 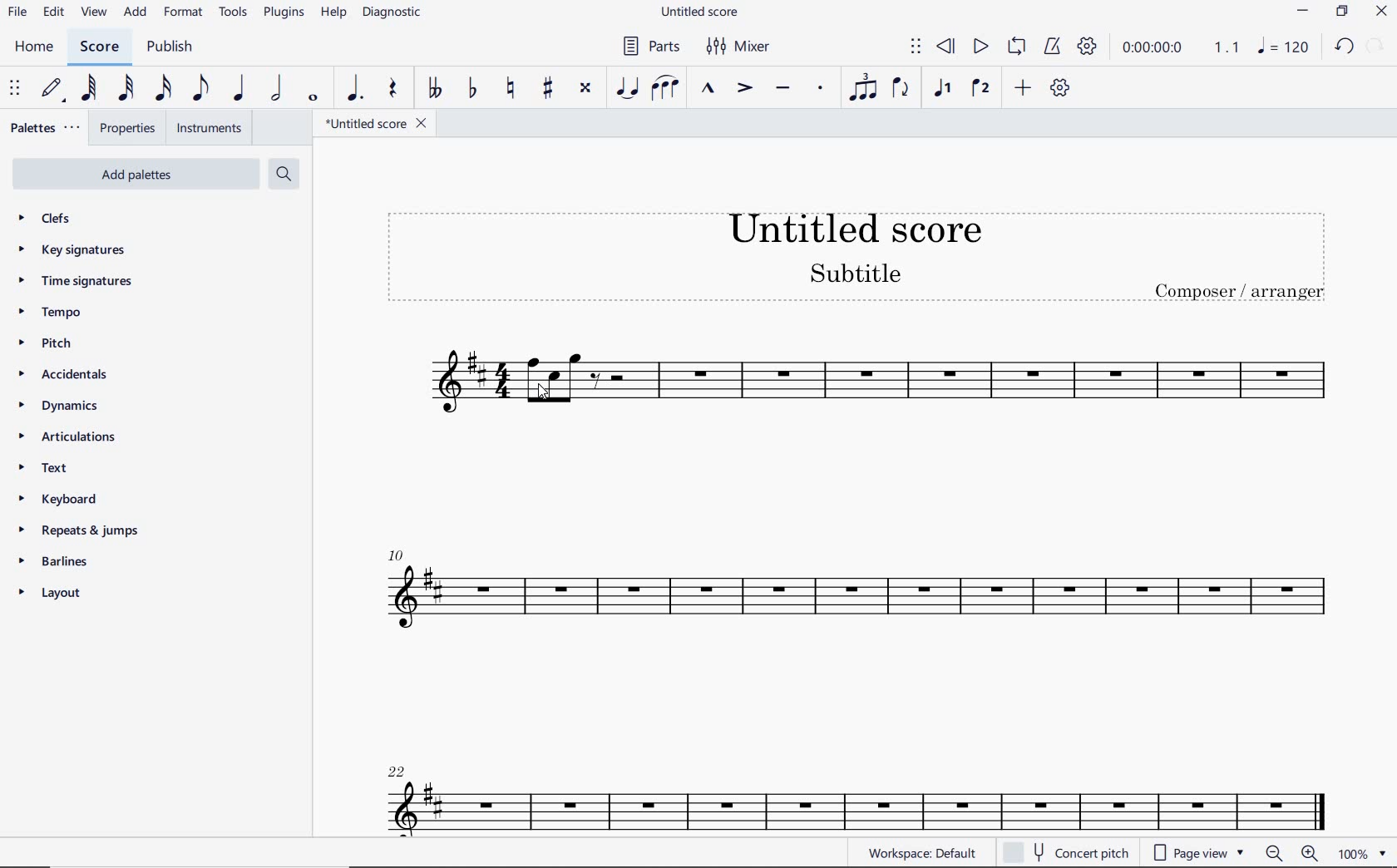 I want to click on TUPLET, so click(x=861, y=89).